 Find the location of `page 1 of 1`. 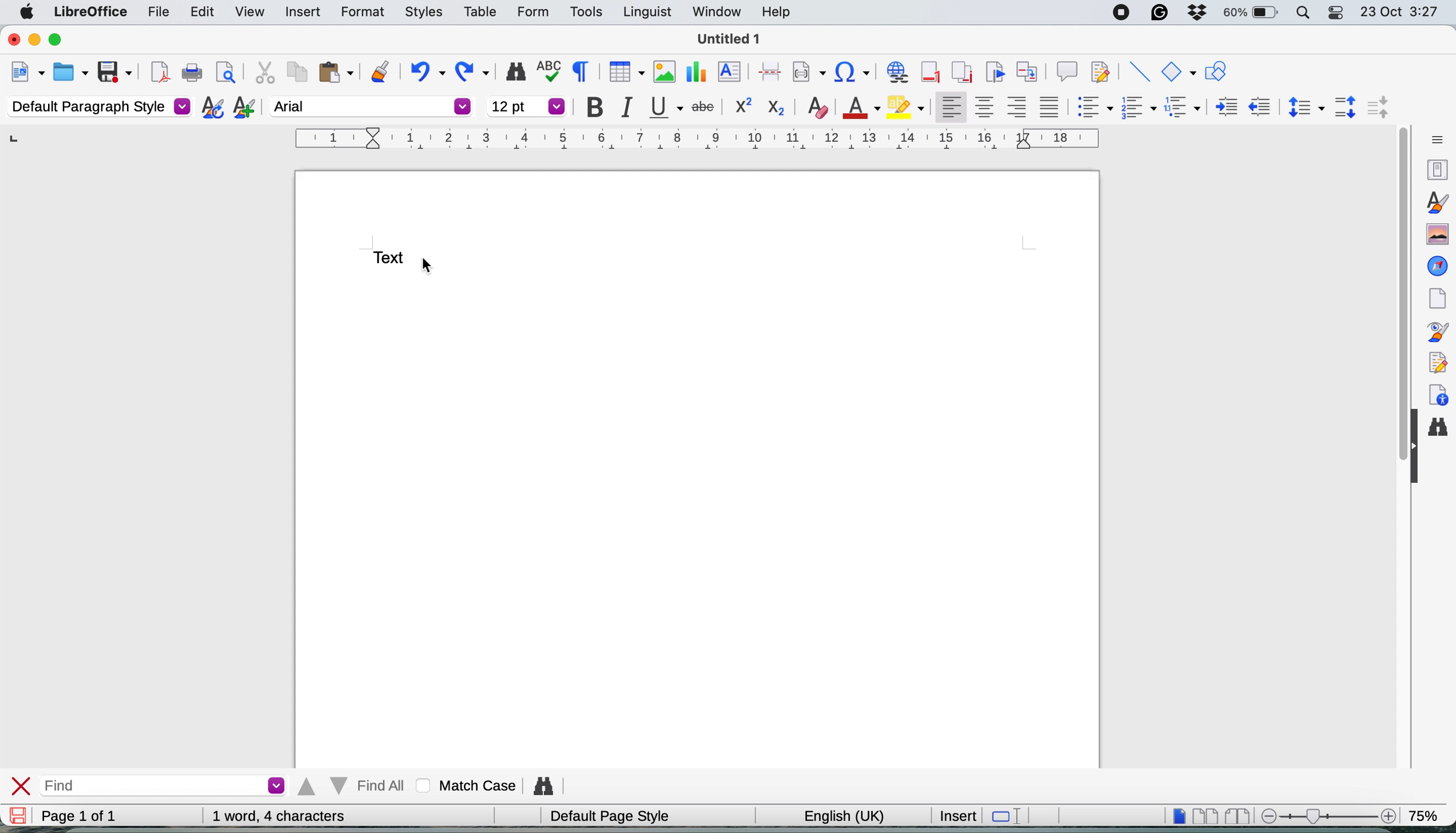

page 1 of 1 is located at coordinates (77, 816).